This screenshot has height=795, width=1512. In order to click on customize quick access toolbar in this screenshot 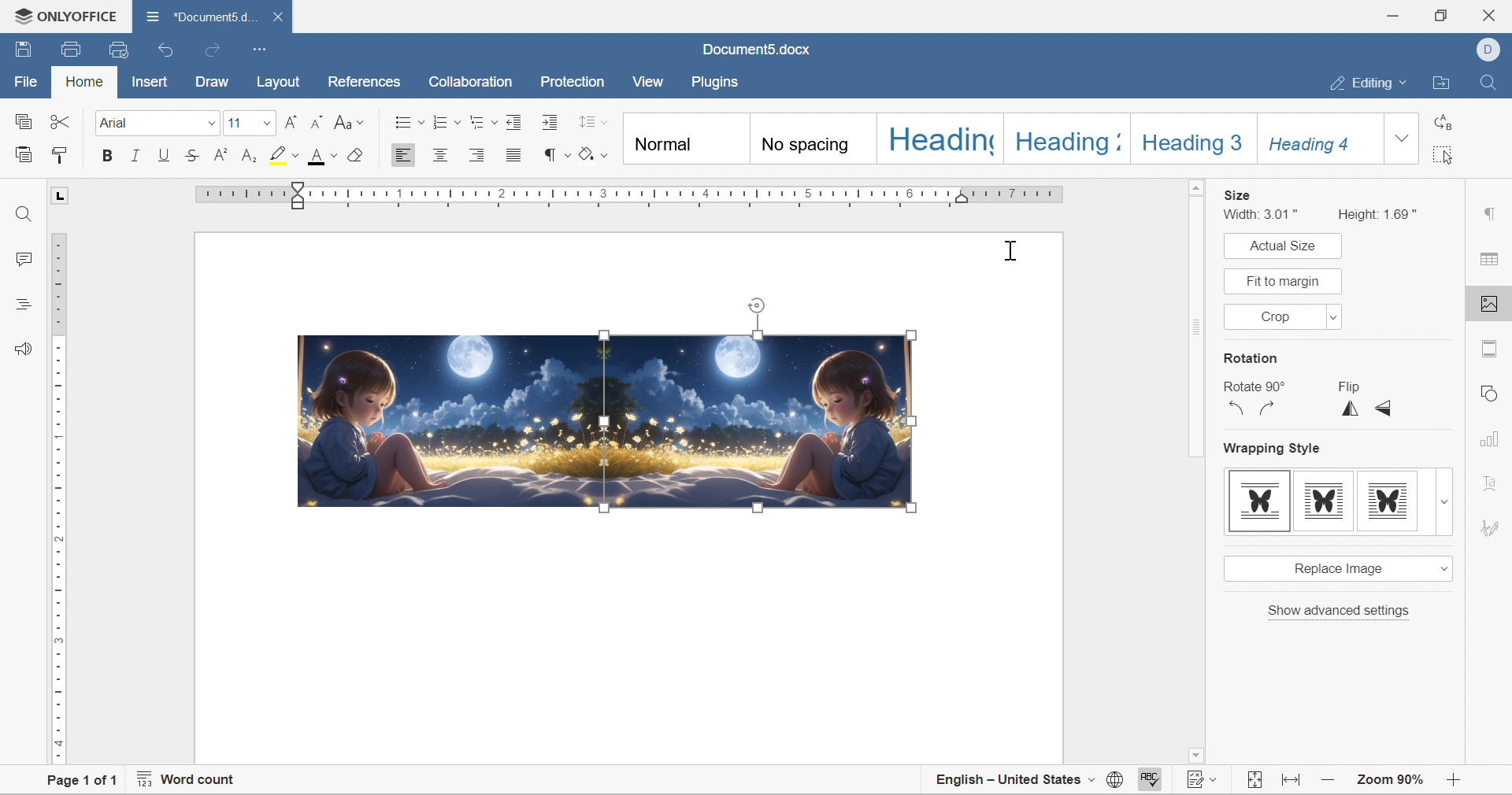, I will do `click(261, 50)`.